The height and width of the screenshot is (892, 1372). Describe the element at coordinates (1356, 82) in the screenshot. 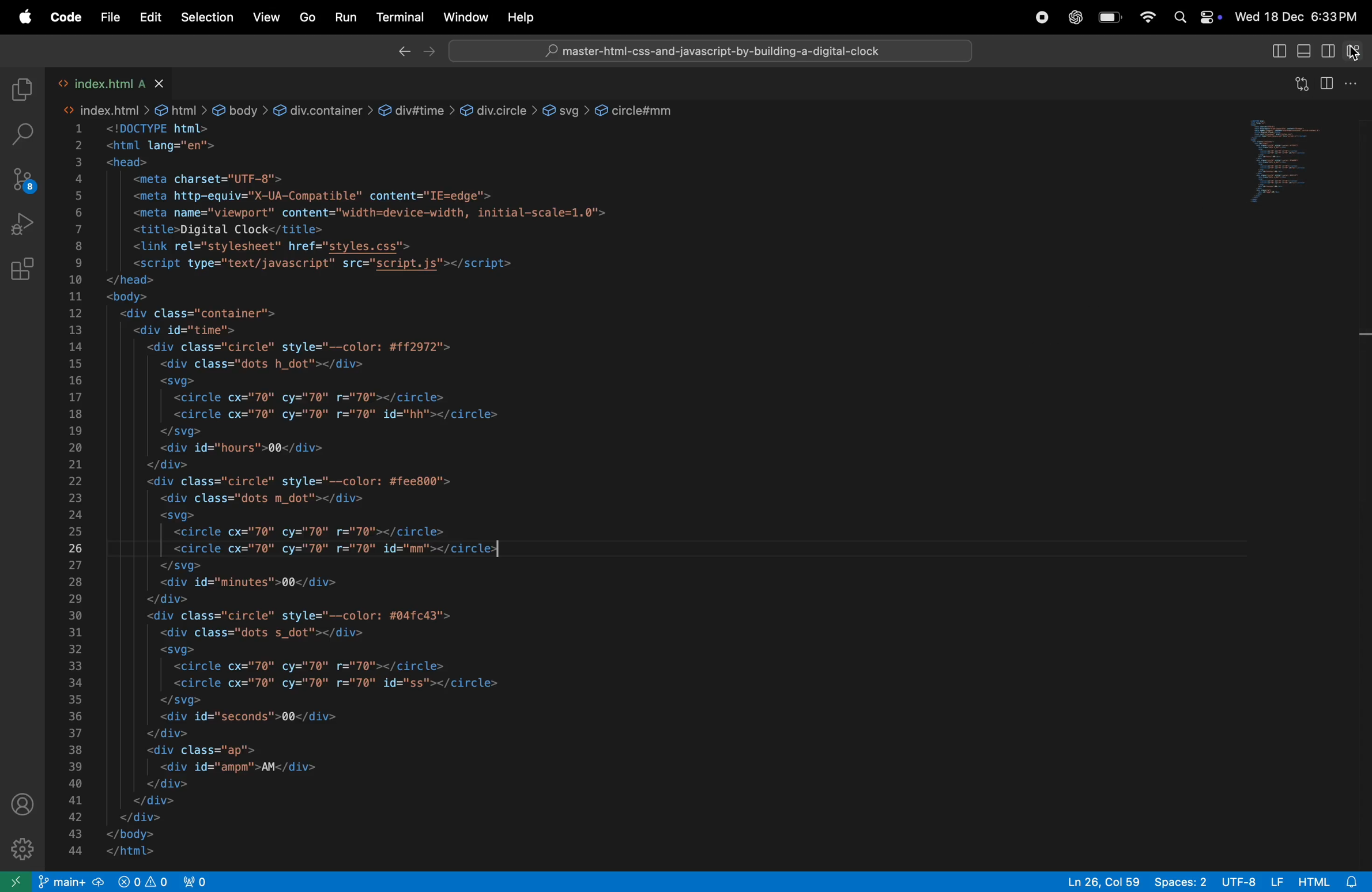

I see `options` at that location.